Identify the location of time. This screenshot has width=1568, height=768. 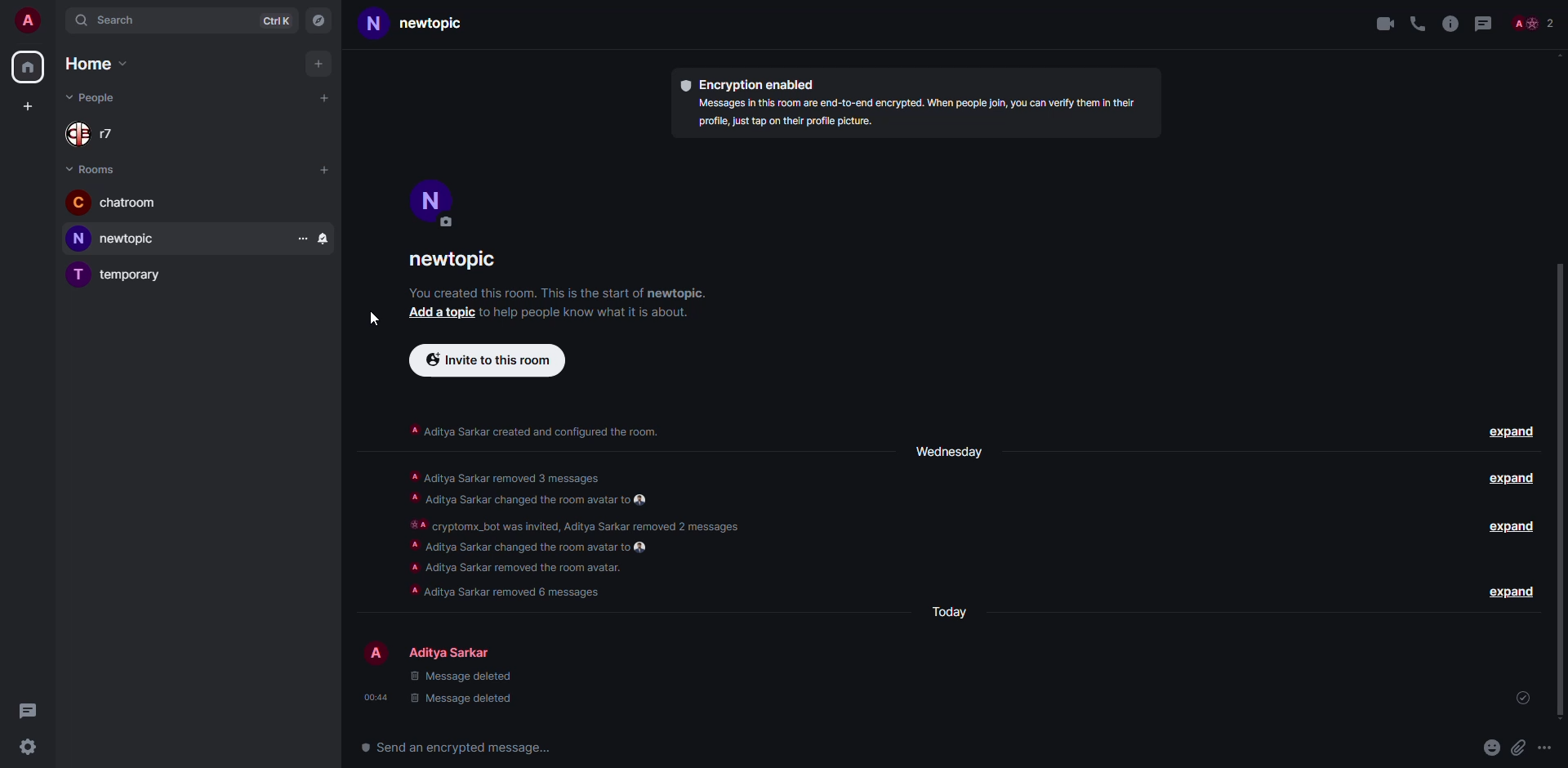
(378, 696).